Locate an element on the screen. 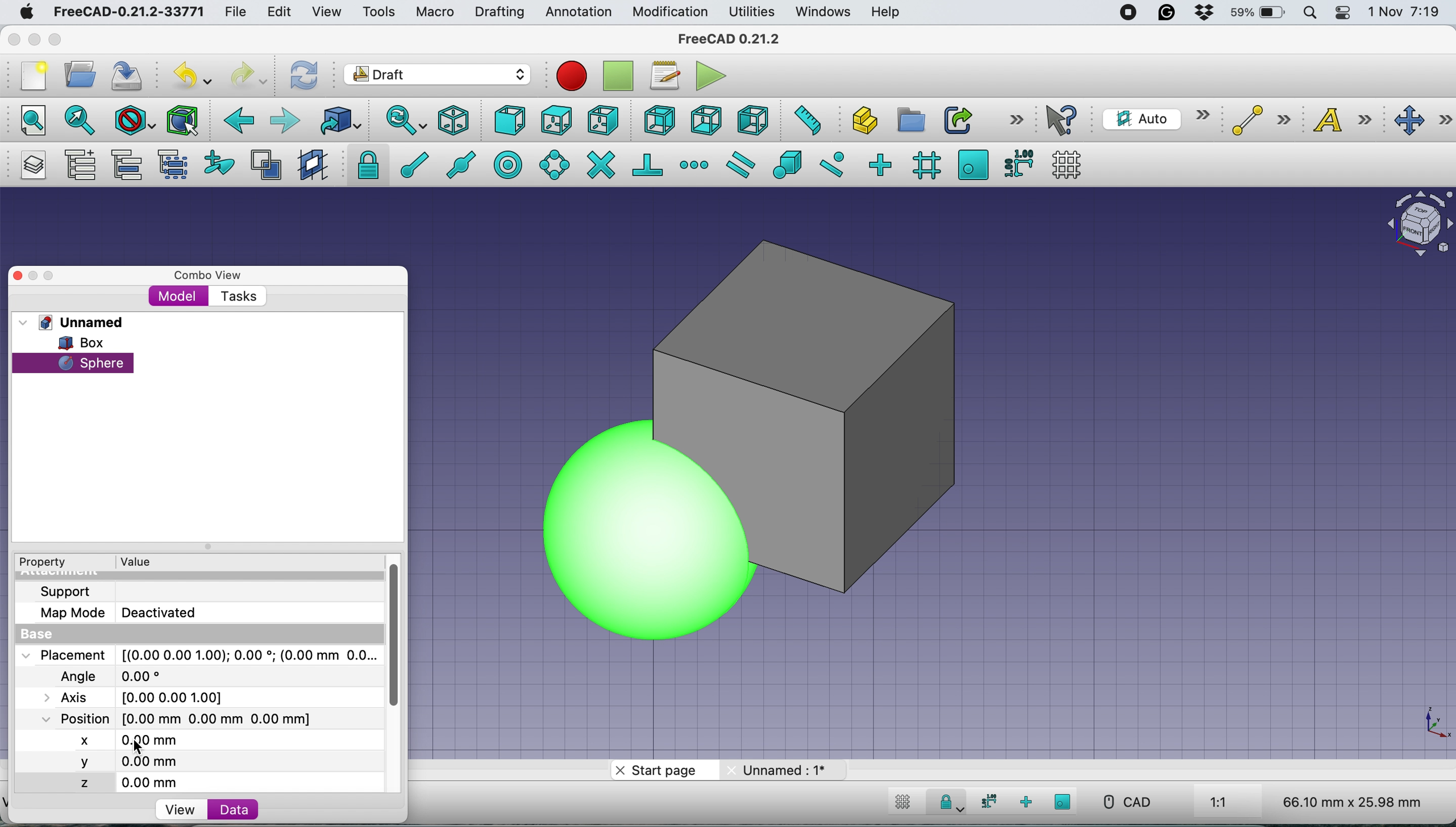 This screenshot has height=827, width=1456. macros is located at coordinates (664, 76).